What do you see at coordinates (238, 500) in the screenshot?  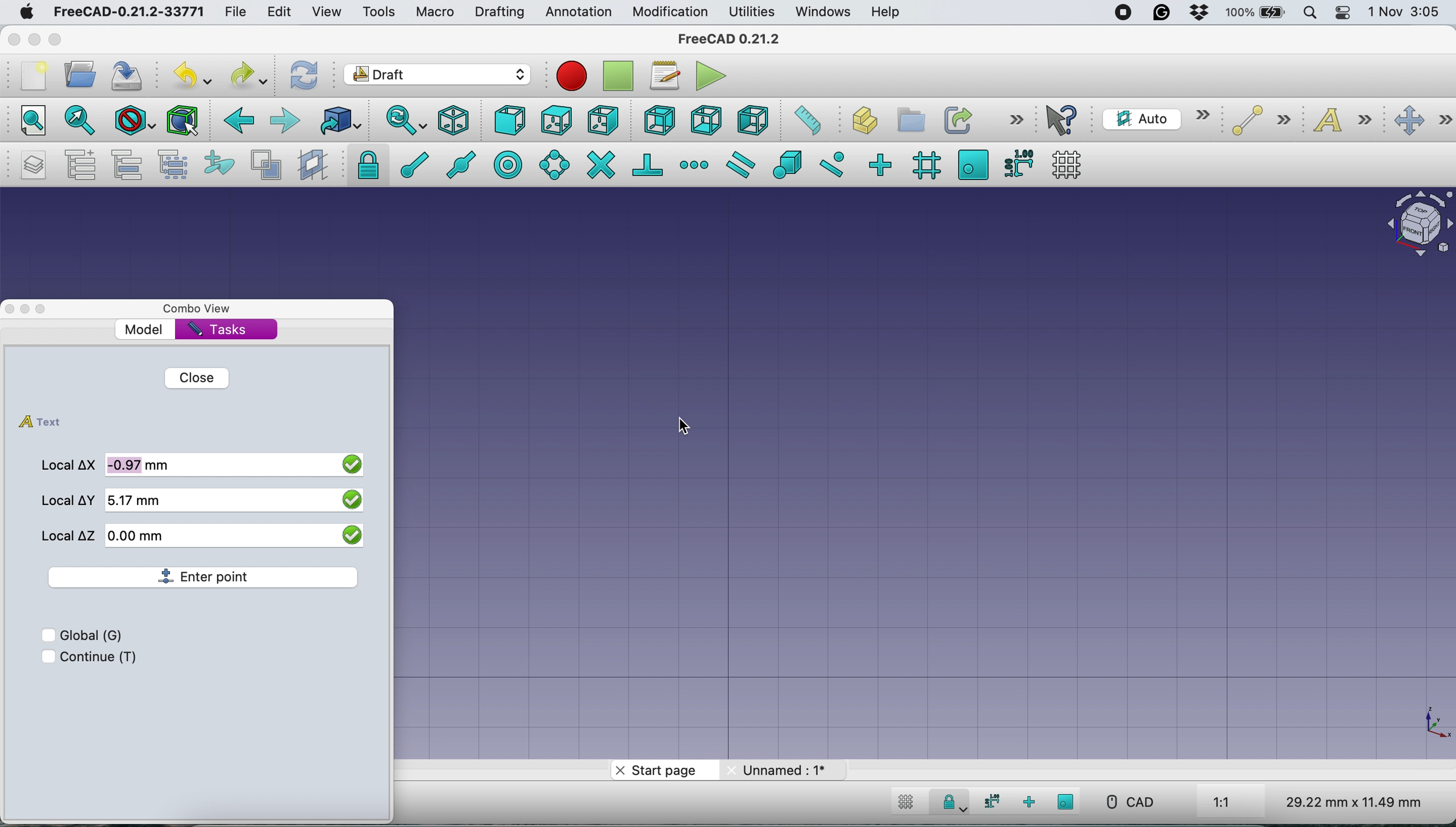 I see `local y` at bounding box center [238, 500].